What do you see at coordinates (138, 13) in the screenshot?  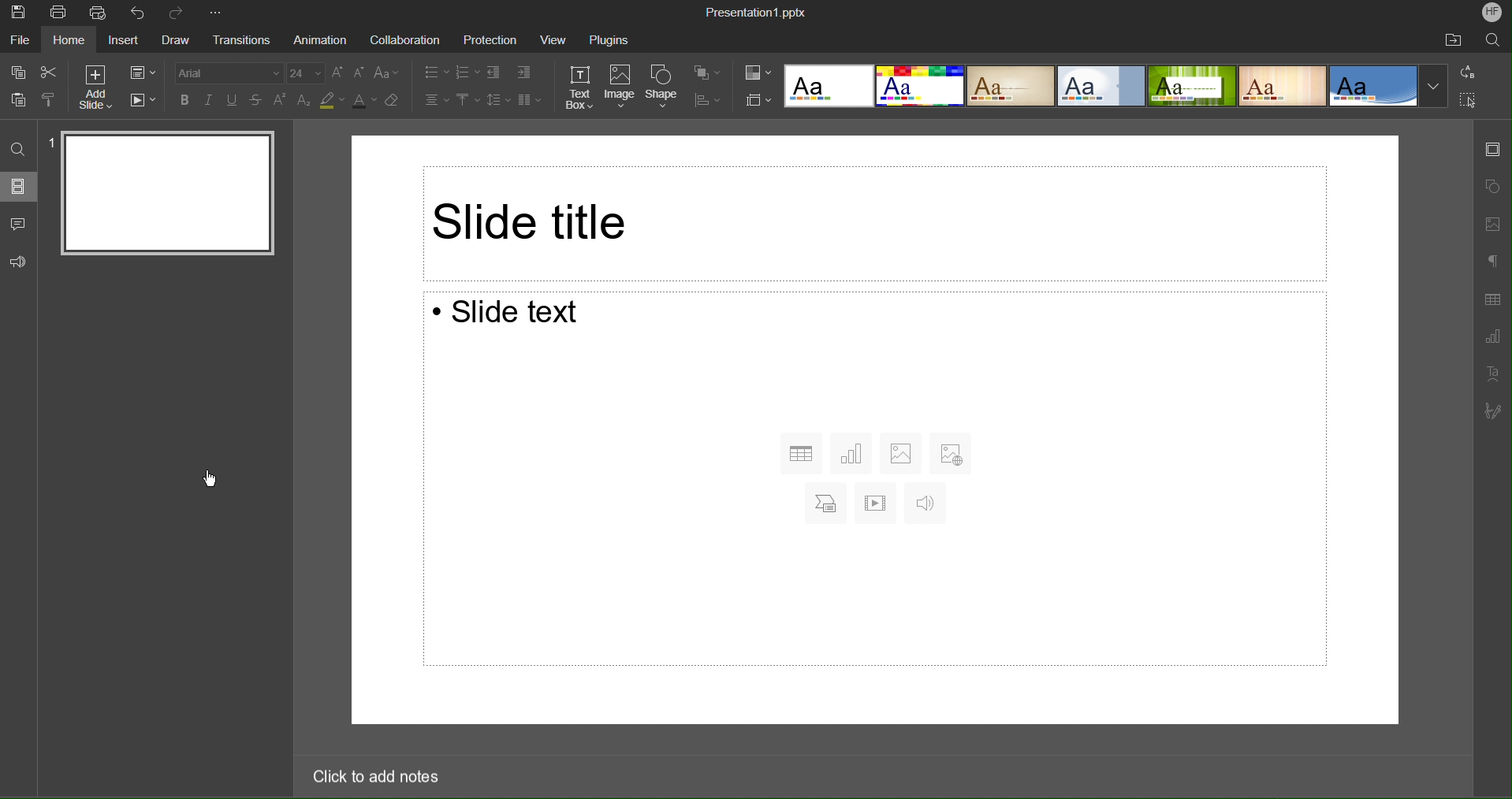 I see `Undo` at bounding box center [138, 13].